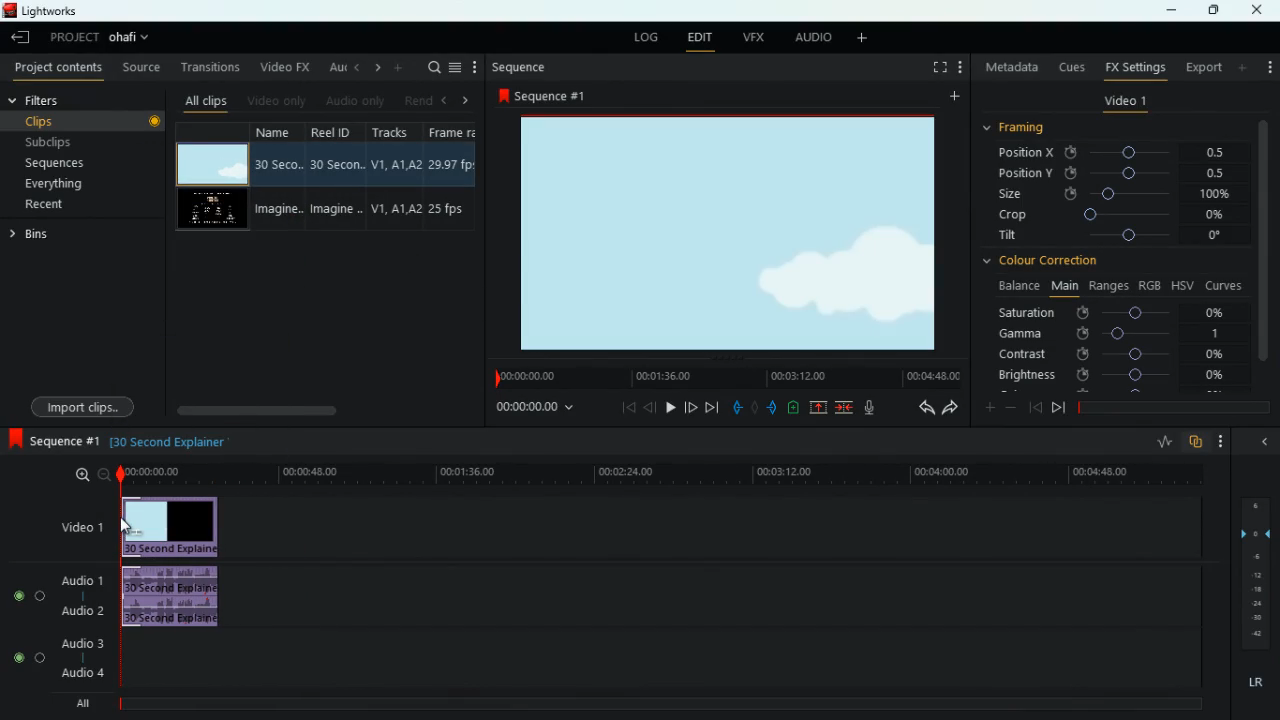  What do you see at coordinates (1064, 286) in the screenshot?
I see `main` at bounding box center [1064, 286].